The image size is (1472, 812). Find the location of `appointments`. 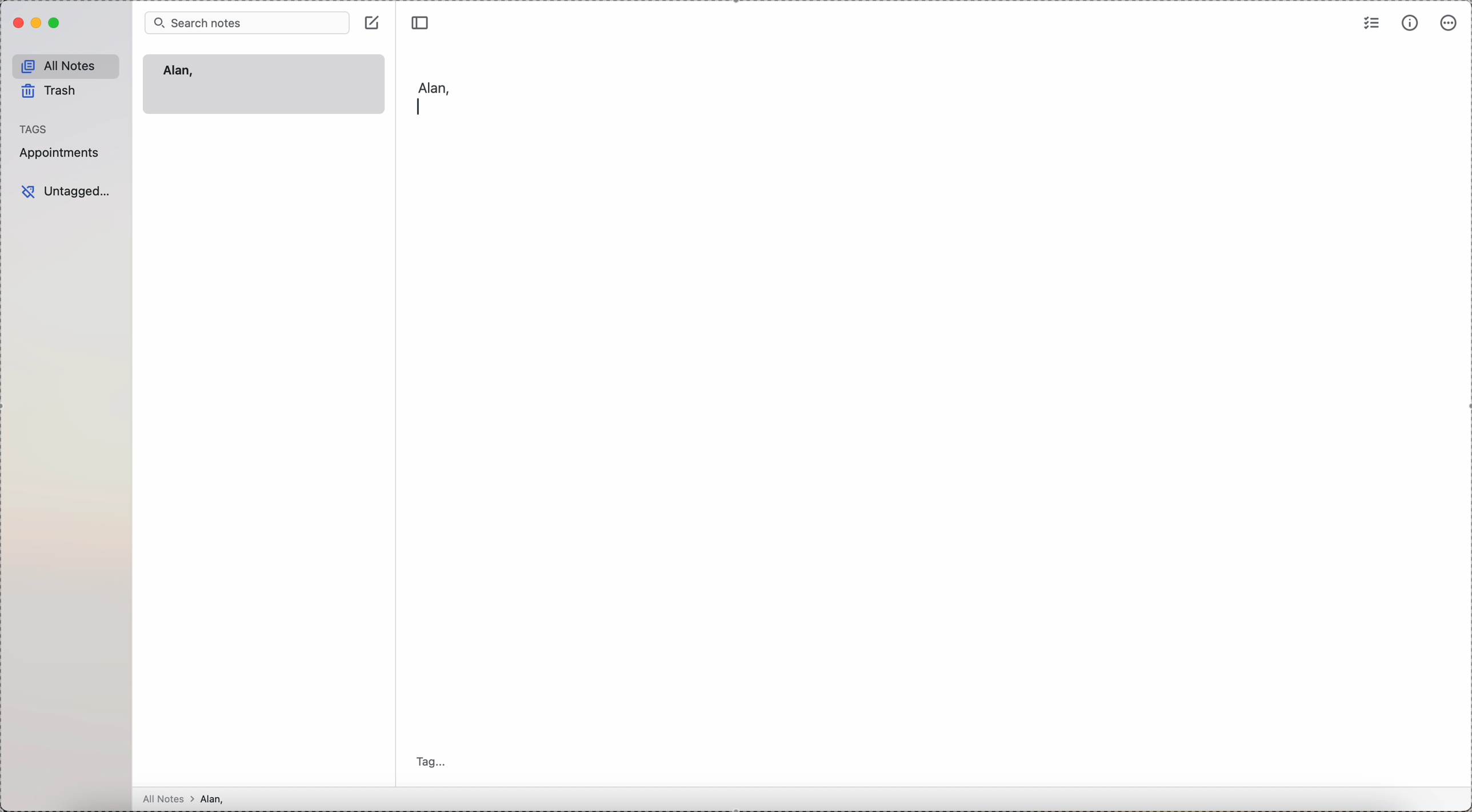

appointments is located at coordinates (62, 153).